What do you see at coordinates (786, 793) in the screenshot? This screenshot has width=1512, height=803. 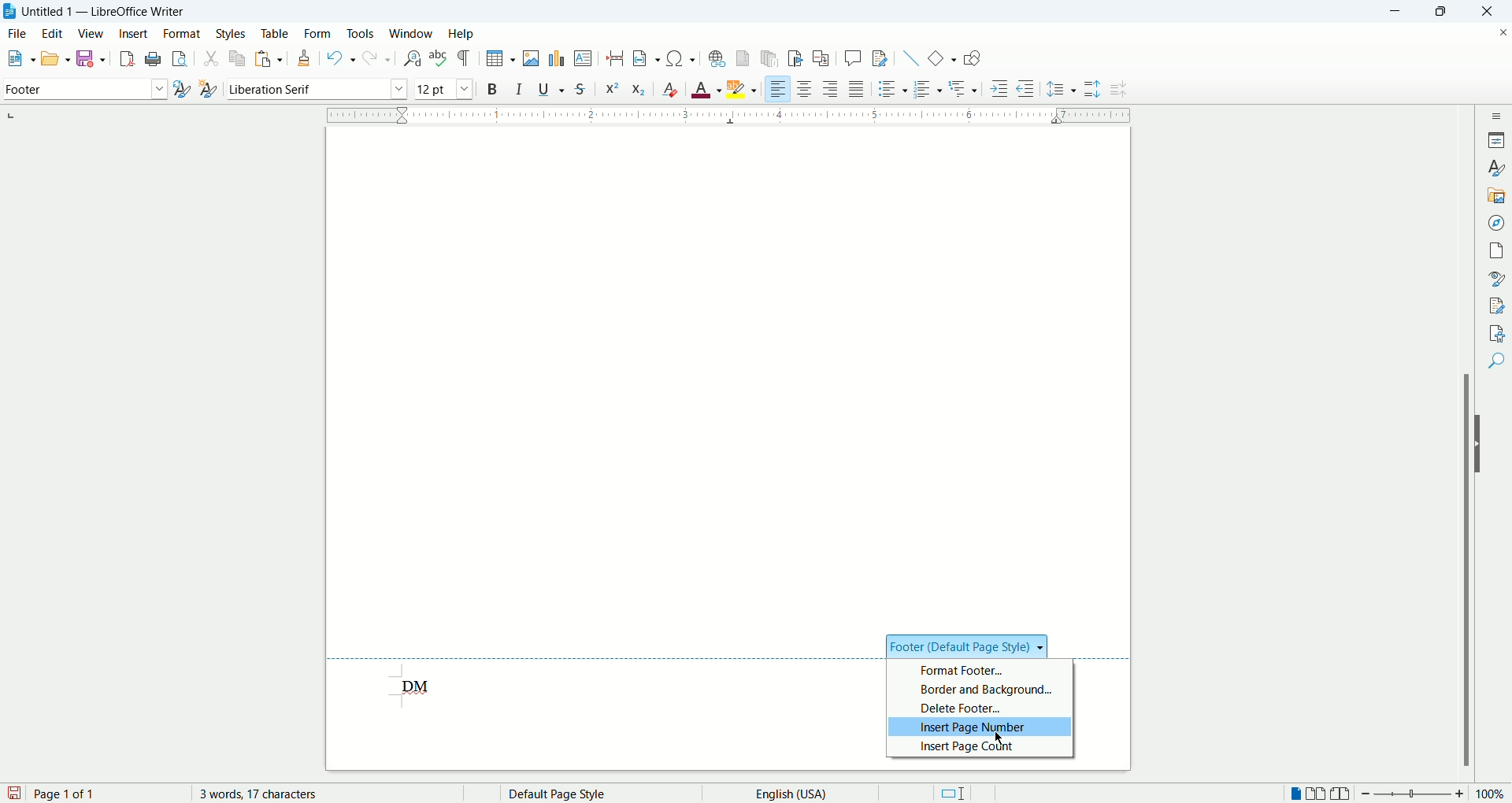 I see `text language` at bounding box center [786, 793].